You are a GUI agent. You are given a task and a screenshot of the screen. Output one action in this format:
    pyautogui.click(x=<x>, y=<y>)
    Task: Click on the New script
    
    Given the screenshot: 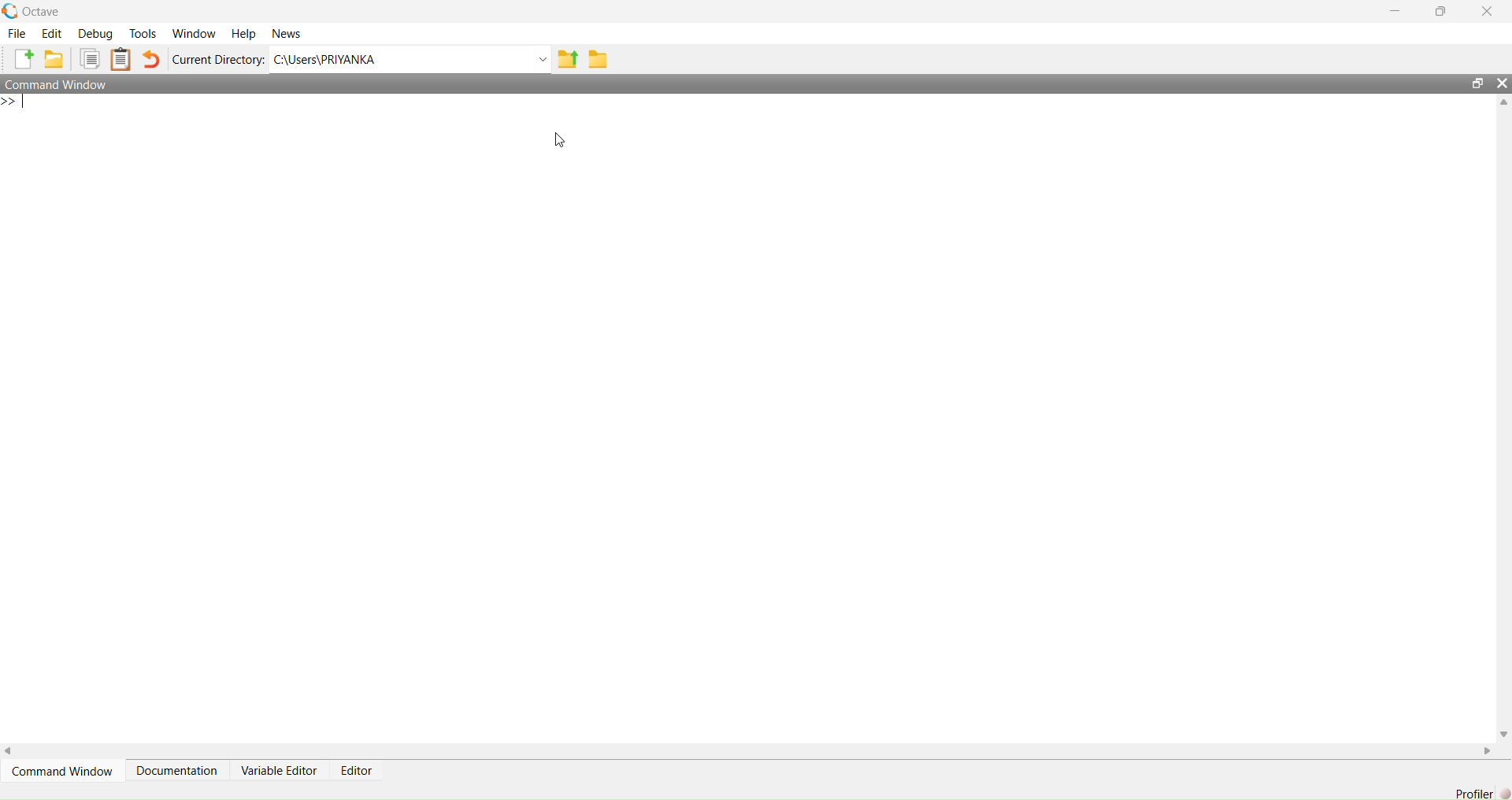 What is the action you would take?
    pyautogui.click(x=20, y=59)
    